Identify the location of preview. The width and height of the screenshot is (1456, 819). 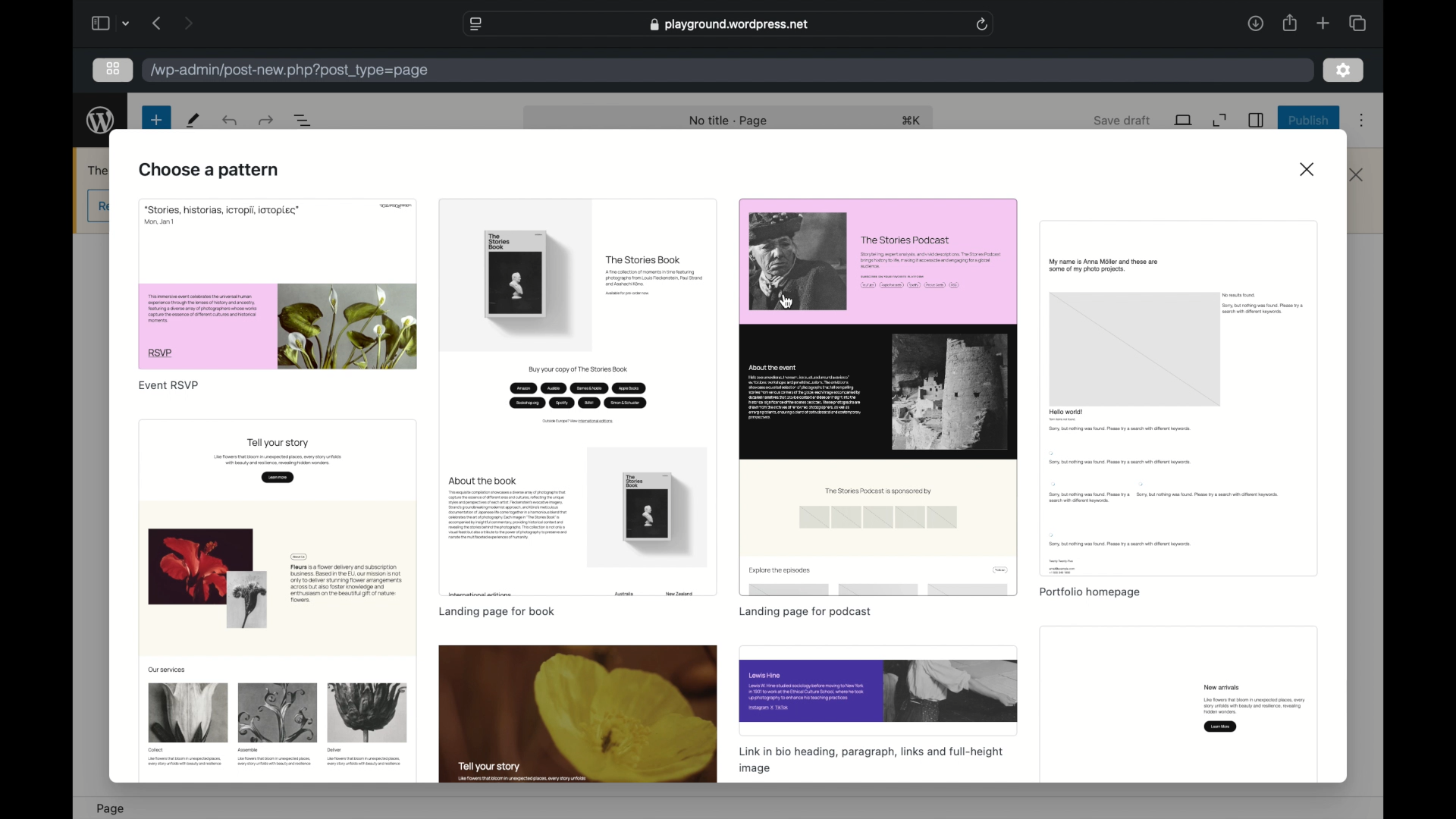
(278, 603).